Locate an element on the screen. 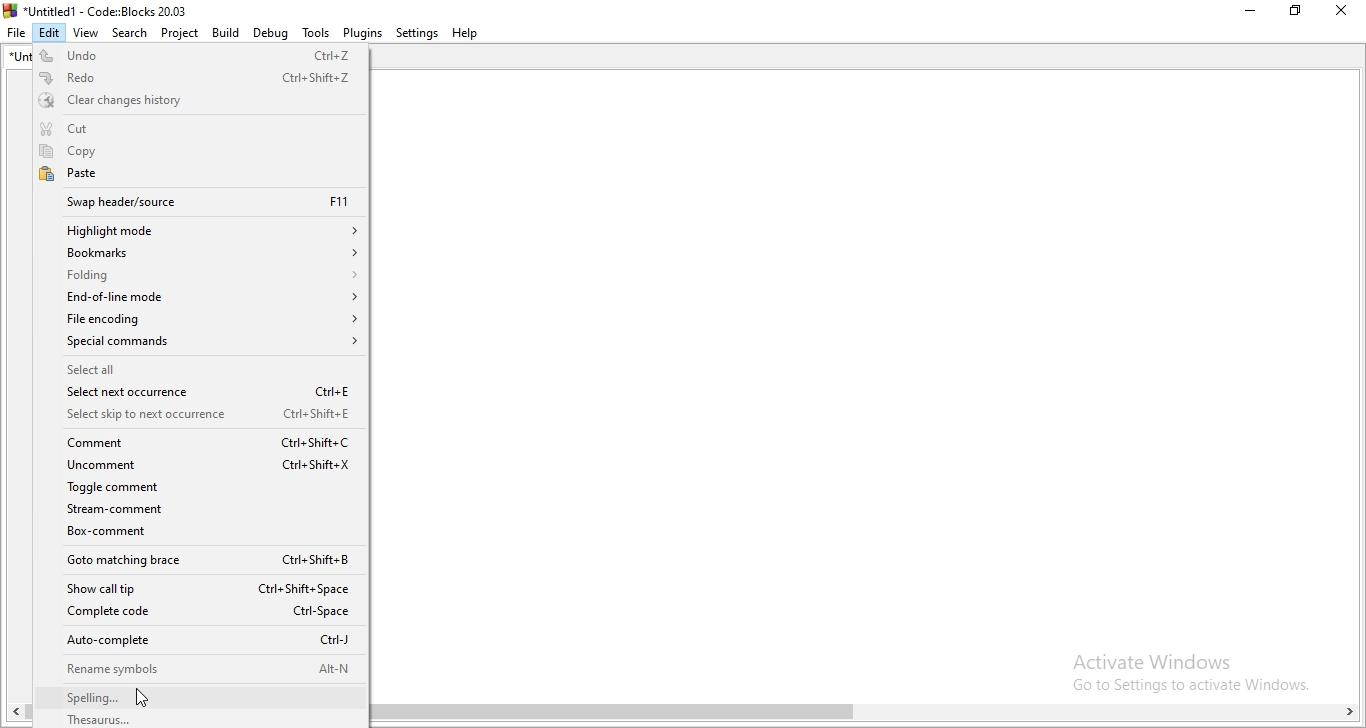 The height and width of the screenshot is (728, 1366). Highlight mode is located at coordinates (201, 230).